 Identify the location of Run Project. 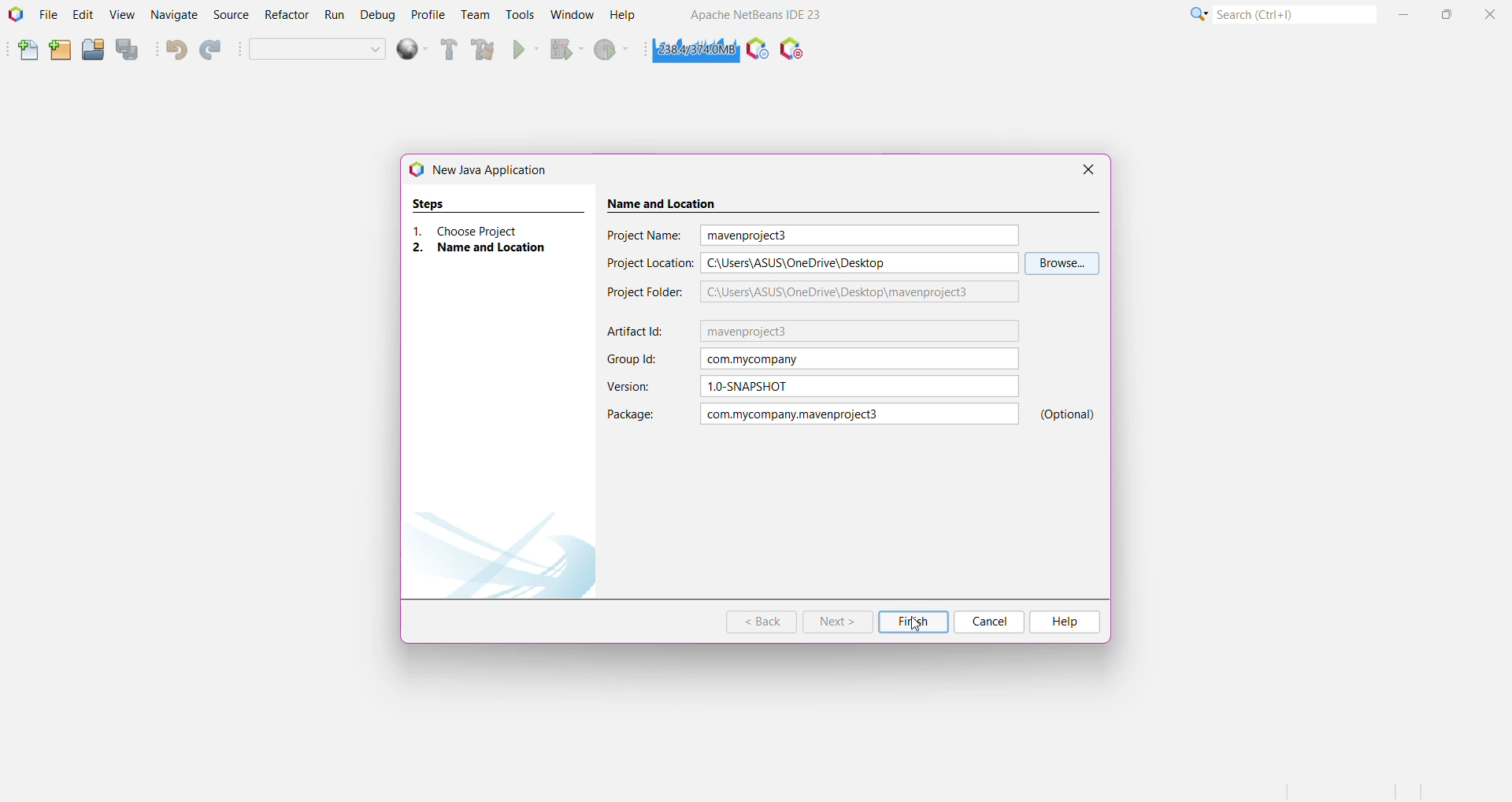
(525, 50).